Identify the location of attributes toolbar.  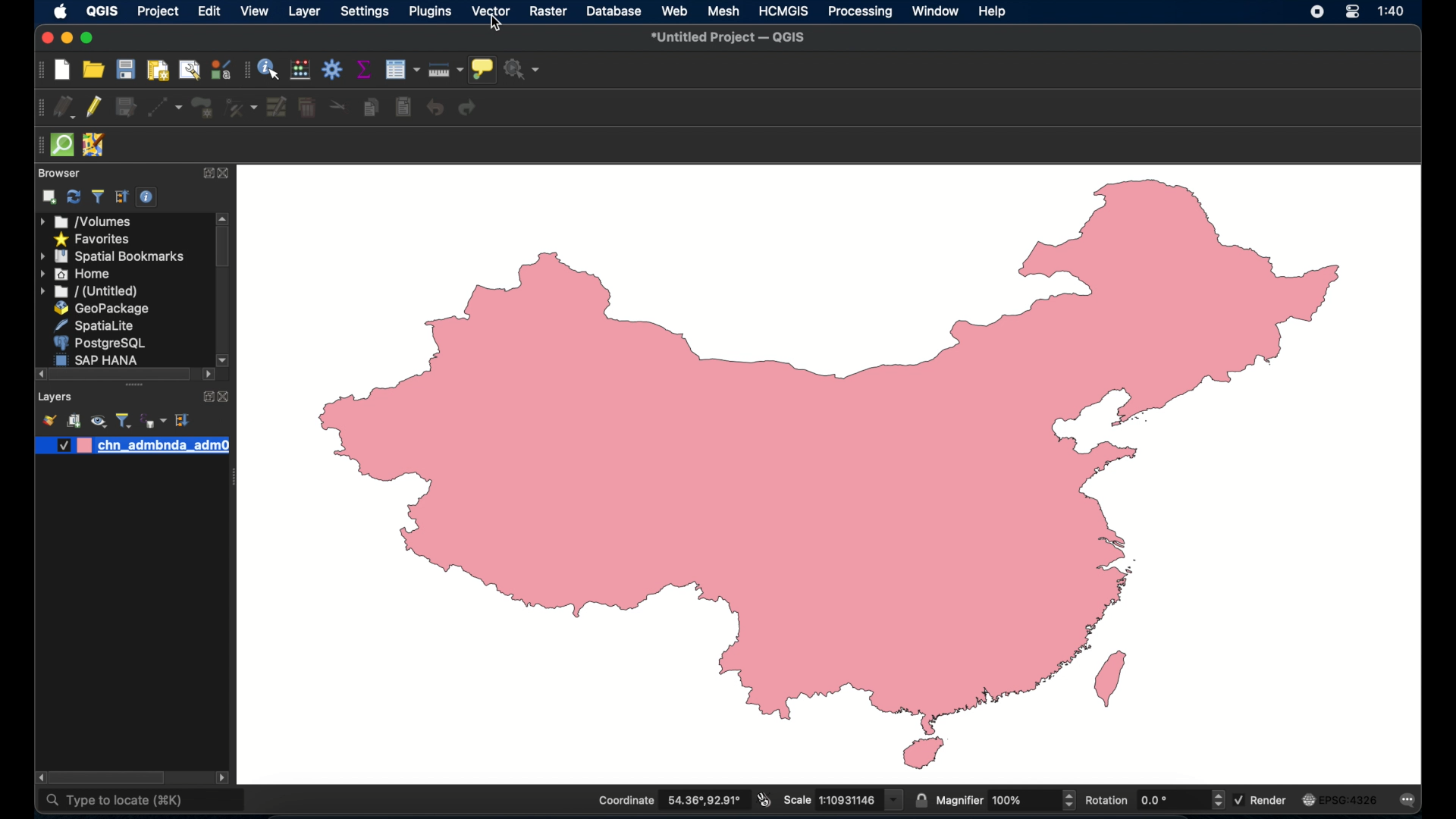
(245, 71).